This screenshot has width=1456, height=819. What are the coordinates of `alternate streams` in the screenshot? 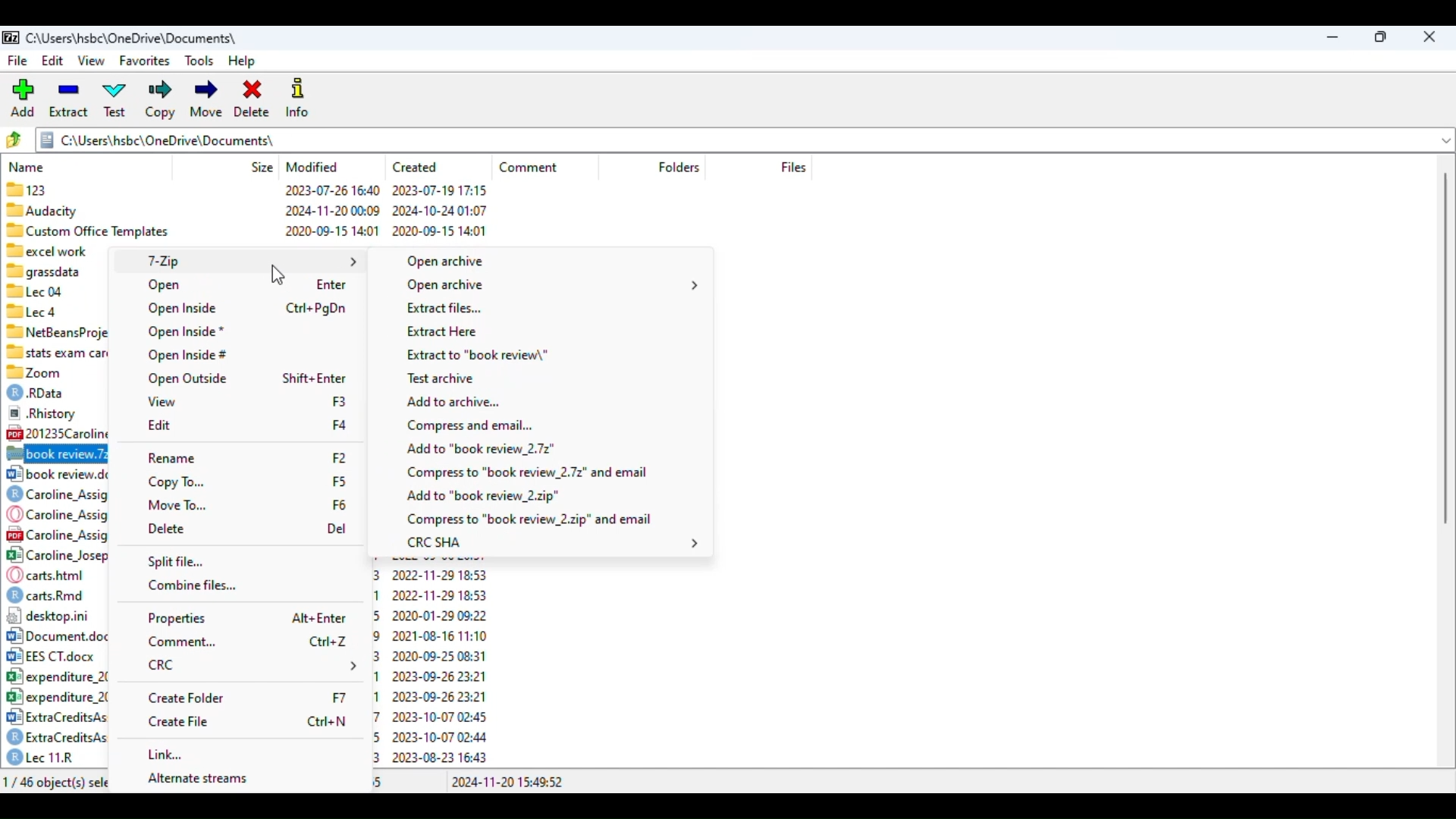 It's located at (200, 780).